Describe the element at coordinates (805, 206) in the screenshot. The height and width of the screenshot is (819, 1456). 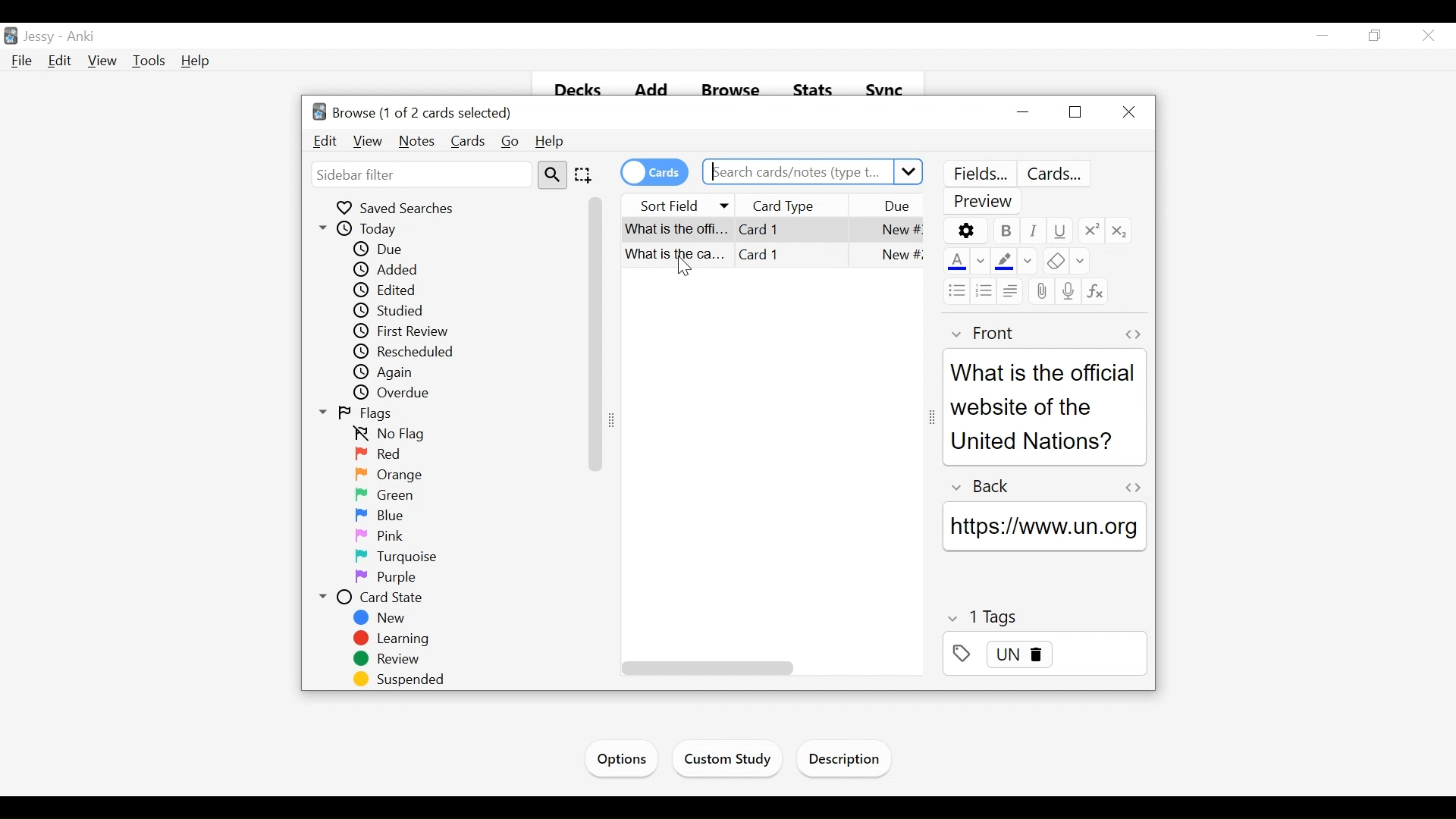
I see `Card Type` at that location.